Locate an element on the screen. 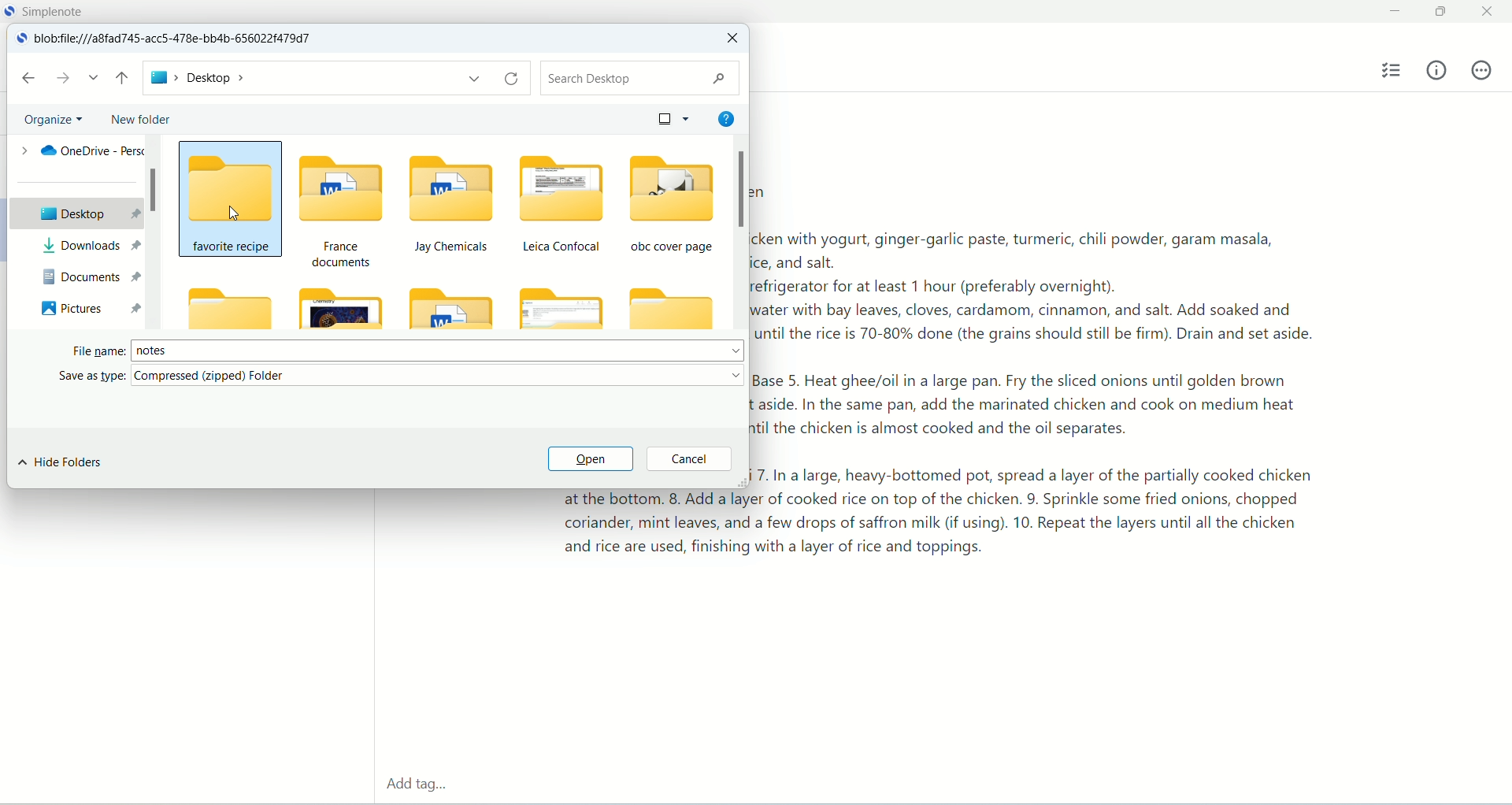 This screenshot has width=1512, height=805. insert checklist is located at coordinates (1393, 71).